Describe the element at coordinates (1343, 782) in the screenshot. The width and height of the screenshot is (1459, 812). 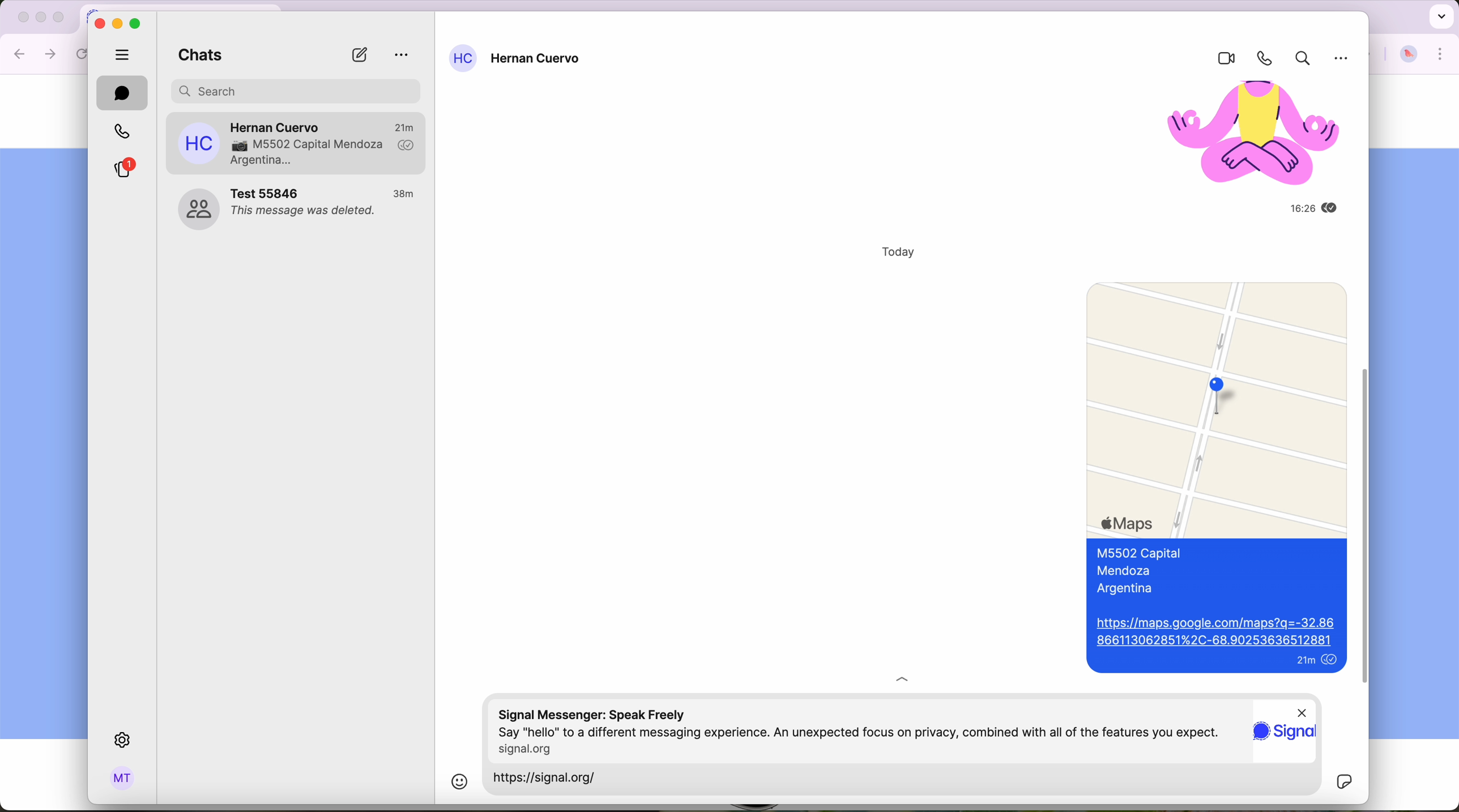
I see `sticker` at that location.